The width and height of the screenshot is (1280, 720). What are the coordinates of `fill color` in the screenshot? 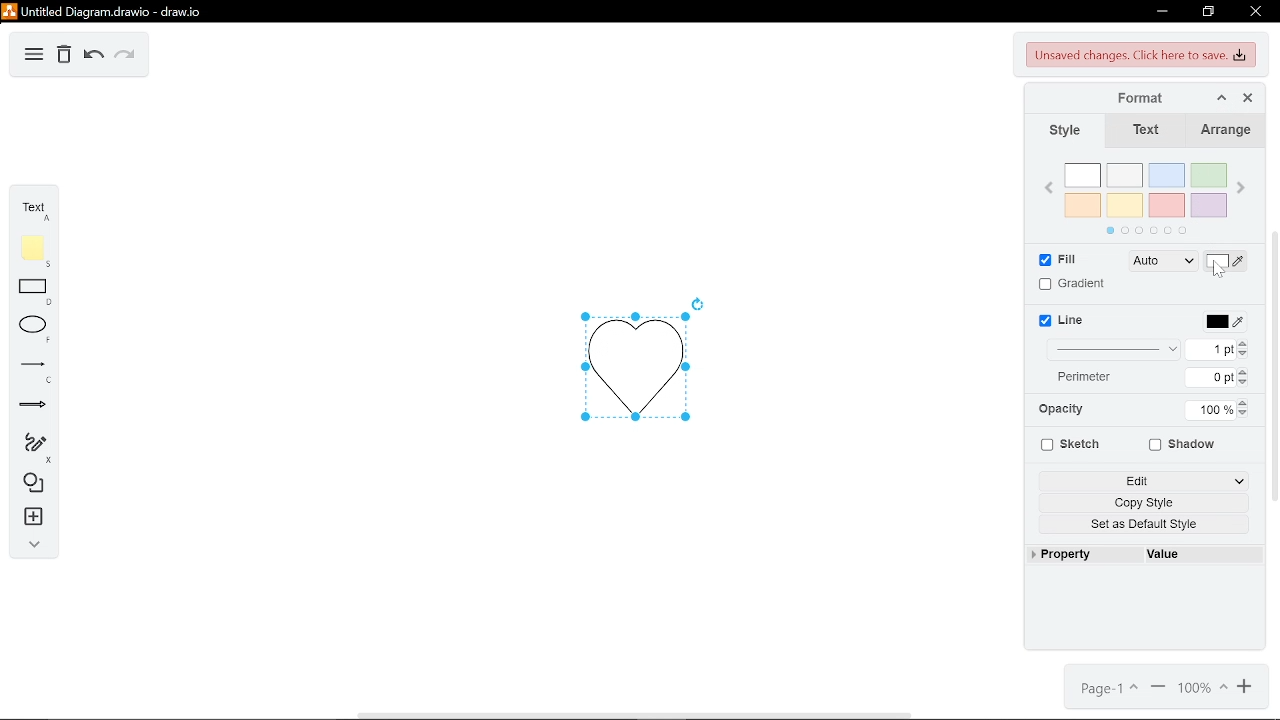 It's located at (1226, 261).